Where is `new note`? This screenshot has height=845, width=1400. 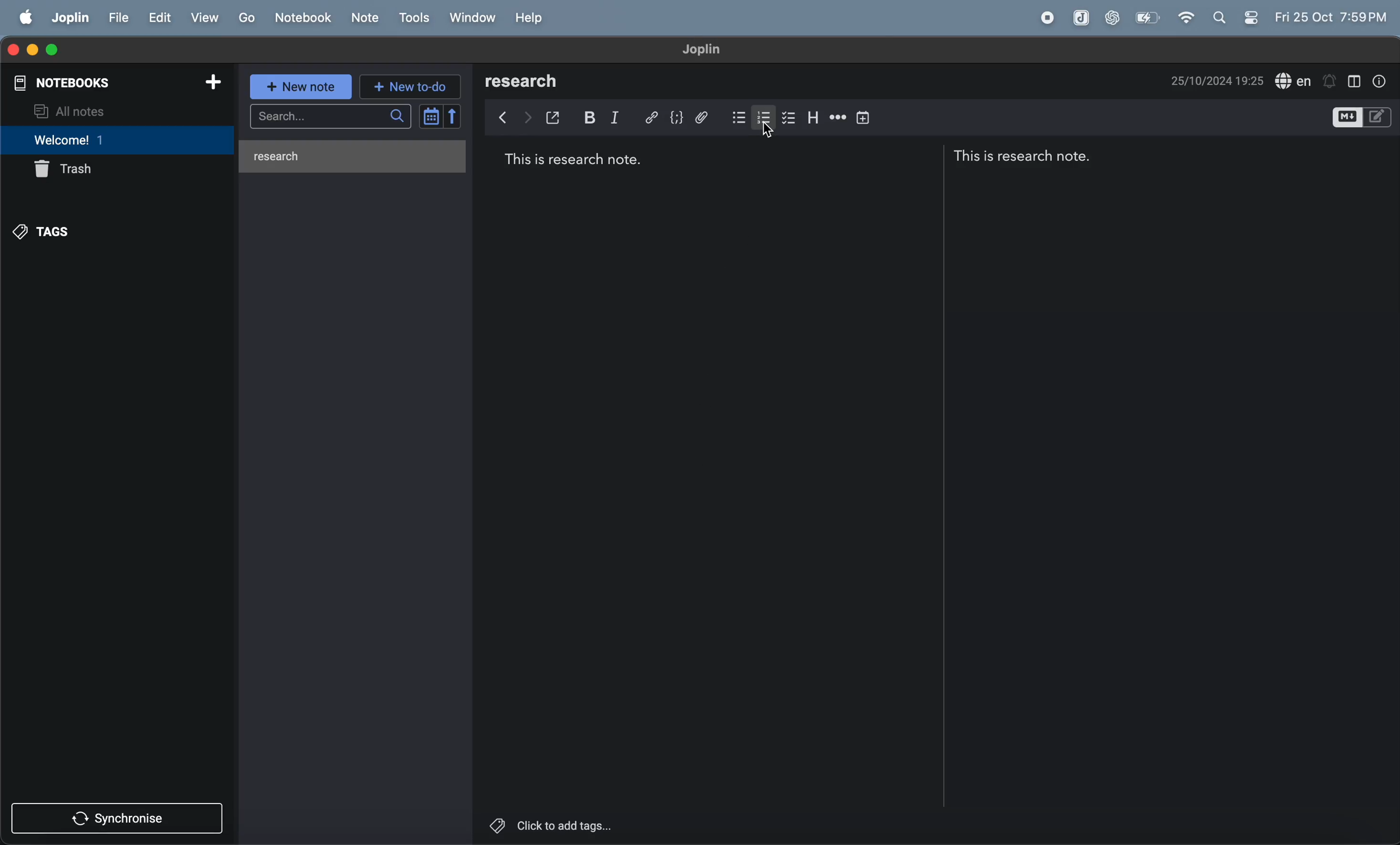
new note is located at coordinates (302, 87).